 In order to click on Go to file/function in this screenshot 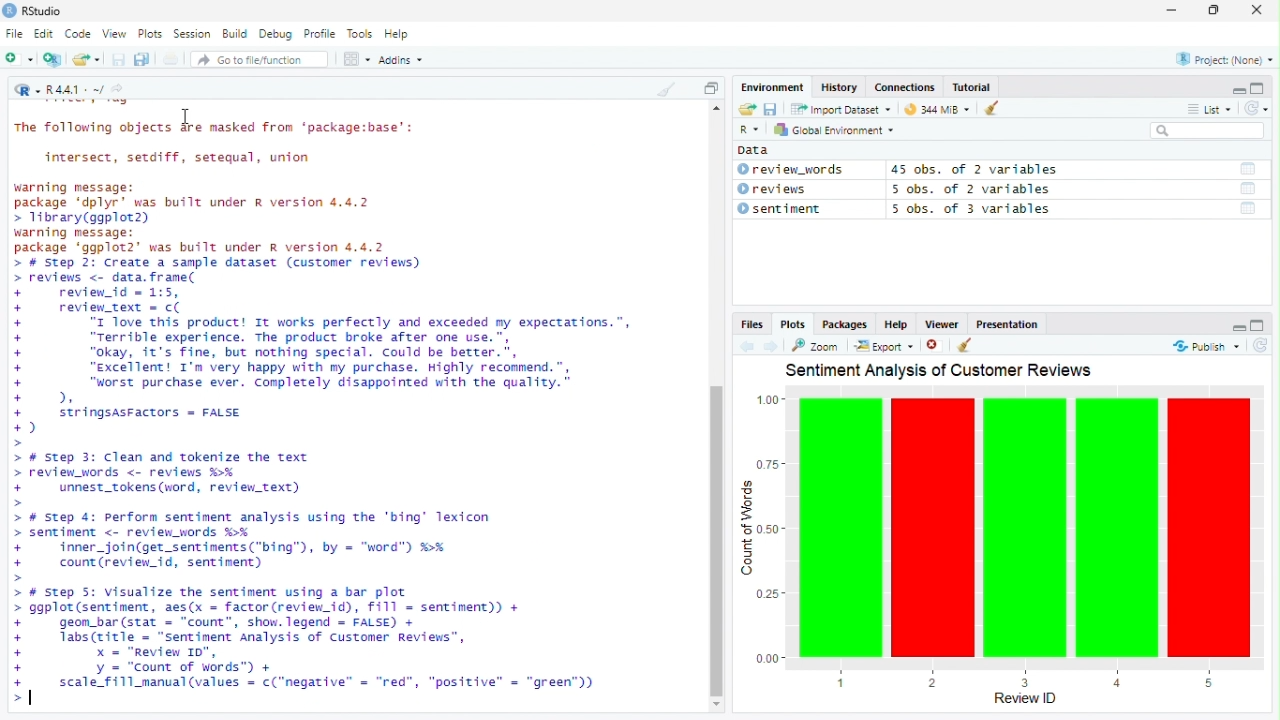, I will do `click(252, 60)`.